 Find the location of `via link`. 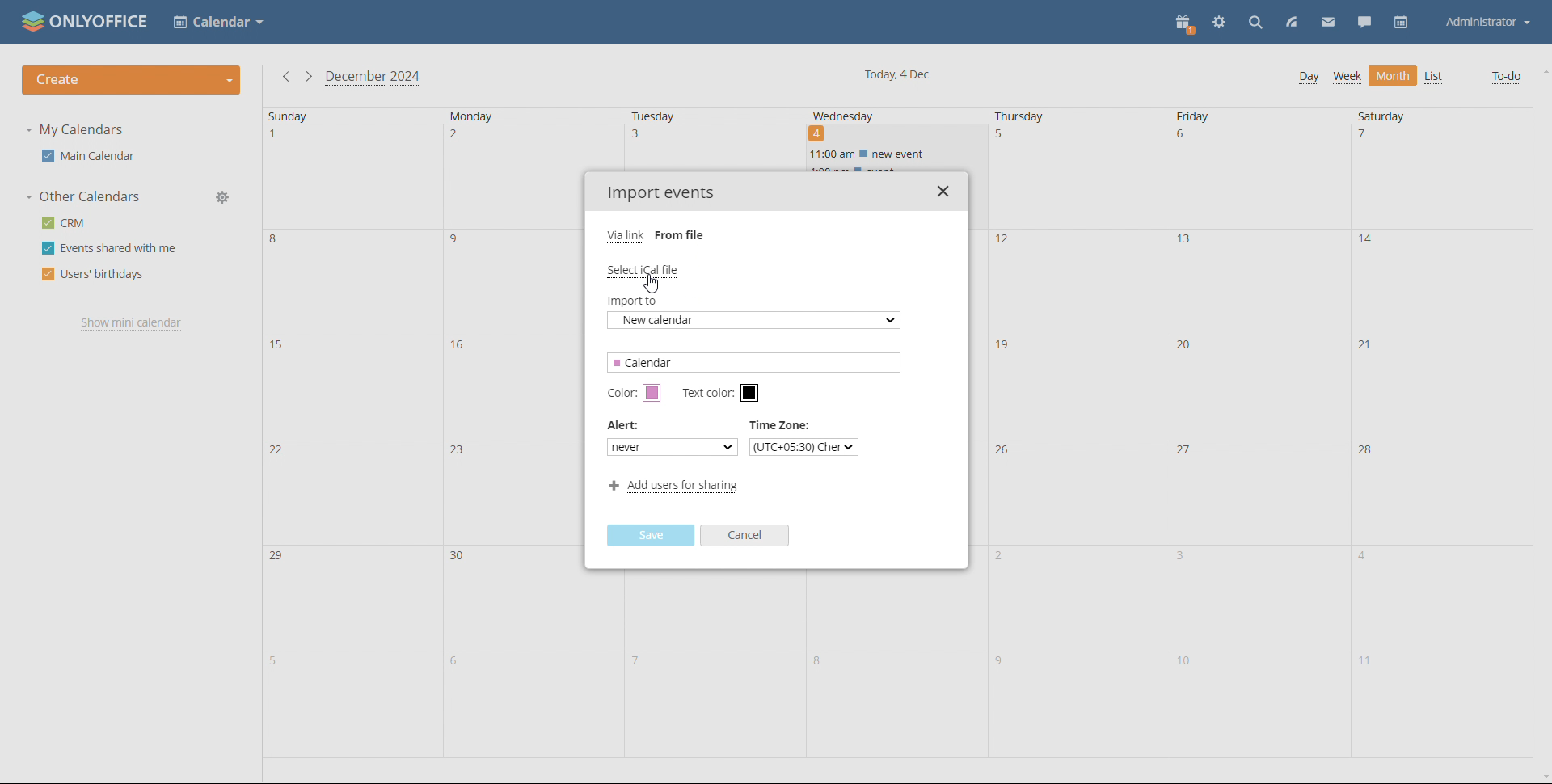

via link is located at coordinates (627, 235).